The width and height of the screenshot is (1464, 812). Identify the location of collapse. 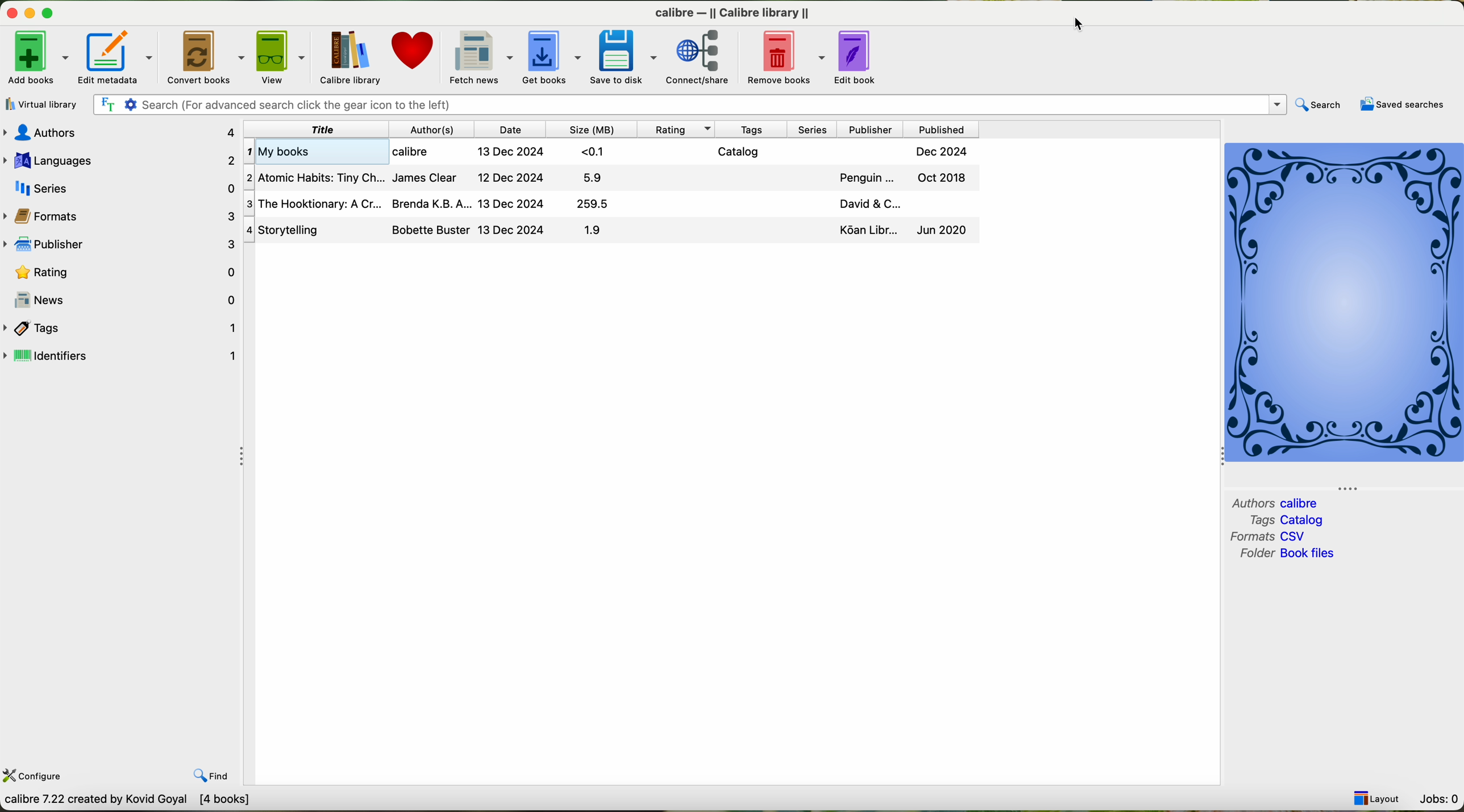
(243, 457).